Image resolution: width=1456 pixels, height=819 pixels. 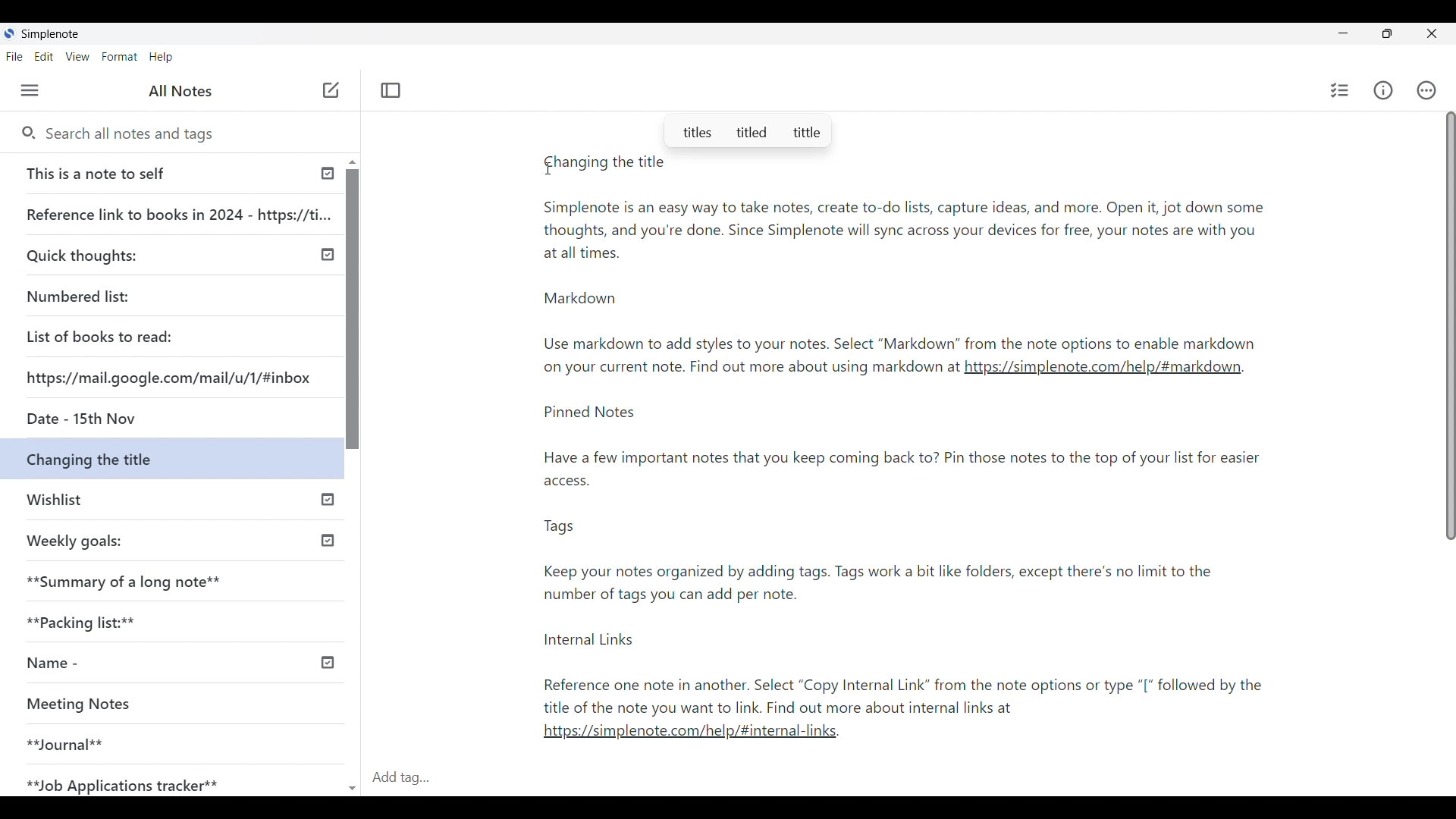 What do you see at coordinates (352, 781) in the screenshot?
I see `Quick slide to bottom` at bounding box center [352, 781].